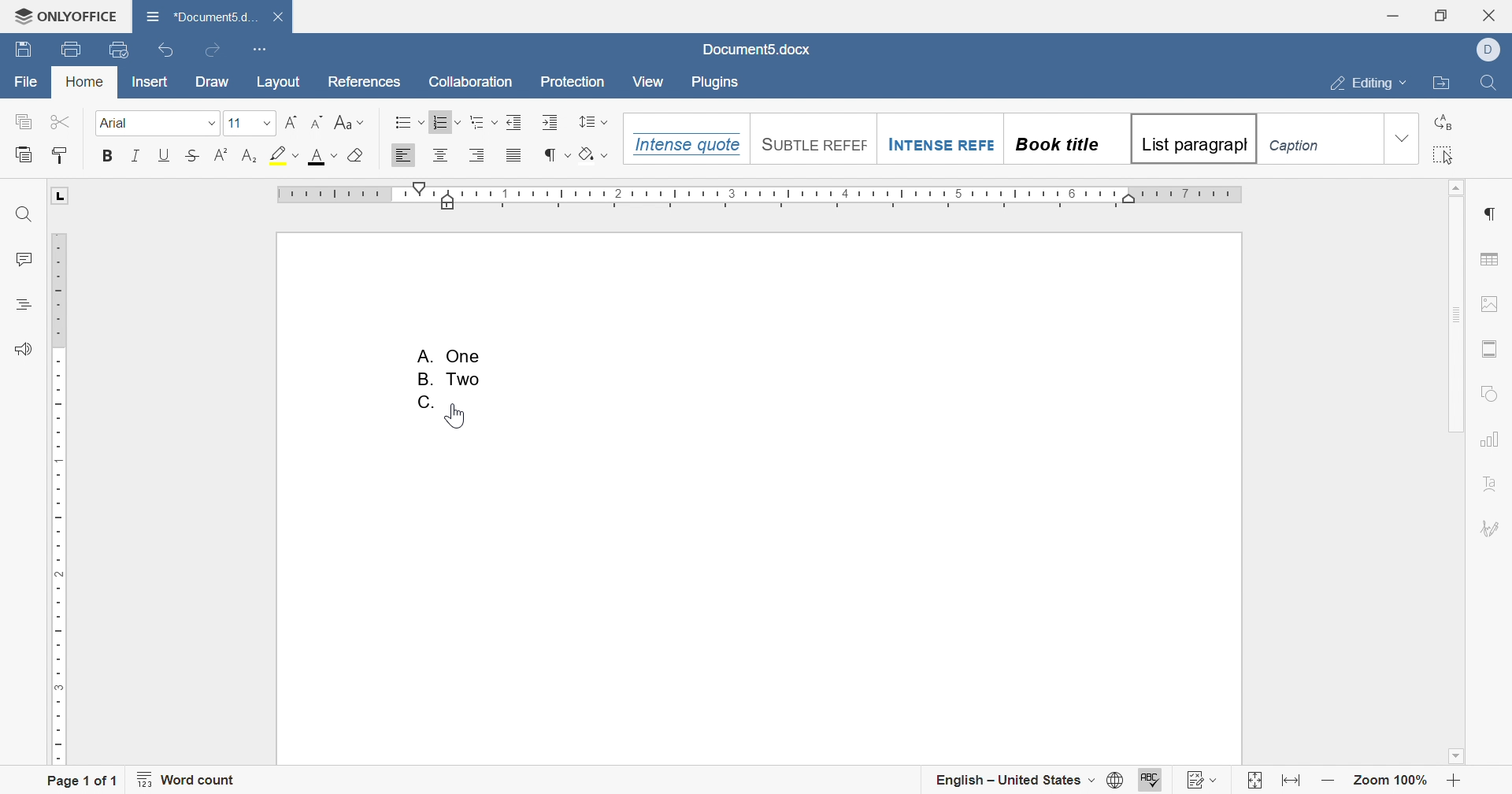  I want to click on insert, so click(150, 81).